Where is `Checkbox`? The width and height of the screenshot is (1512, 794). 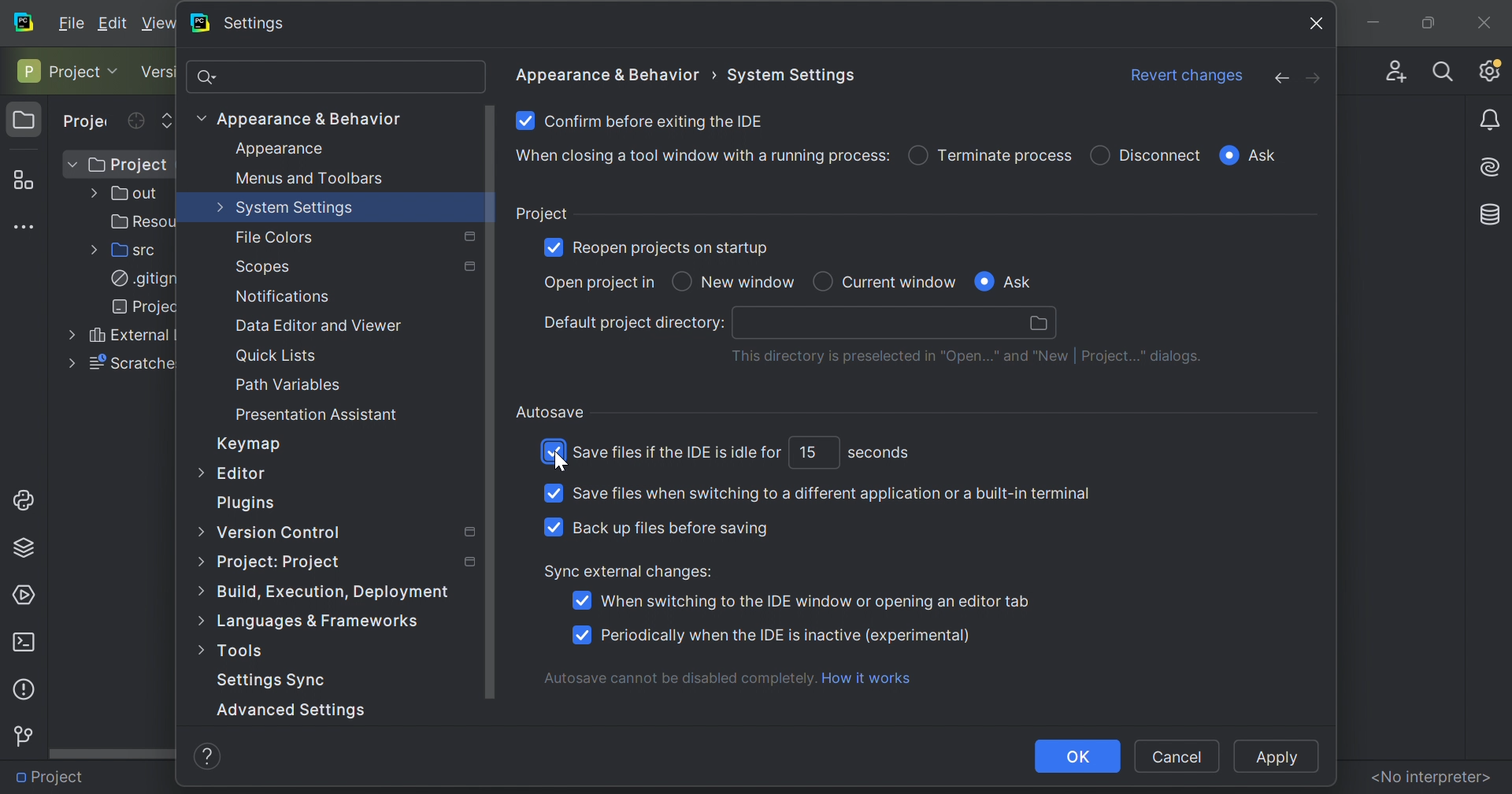
Checkbox is located at coordinates (580, 634).